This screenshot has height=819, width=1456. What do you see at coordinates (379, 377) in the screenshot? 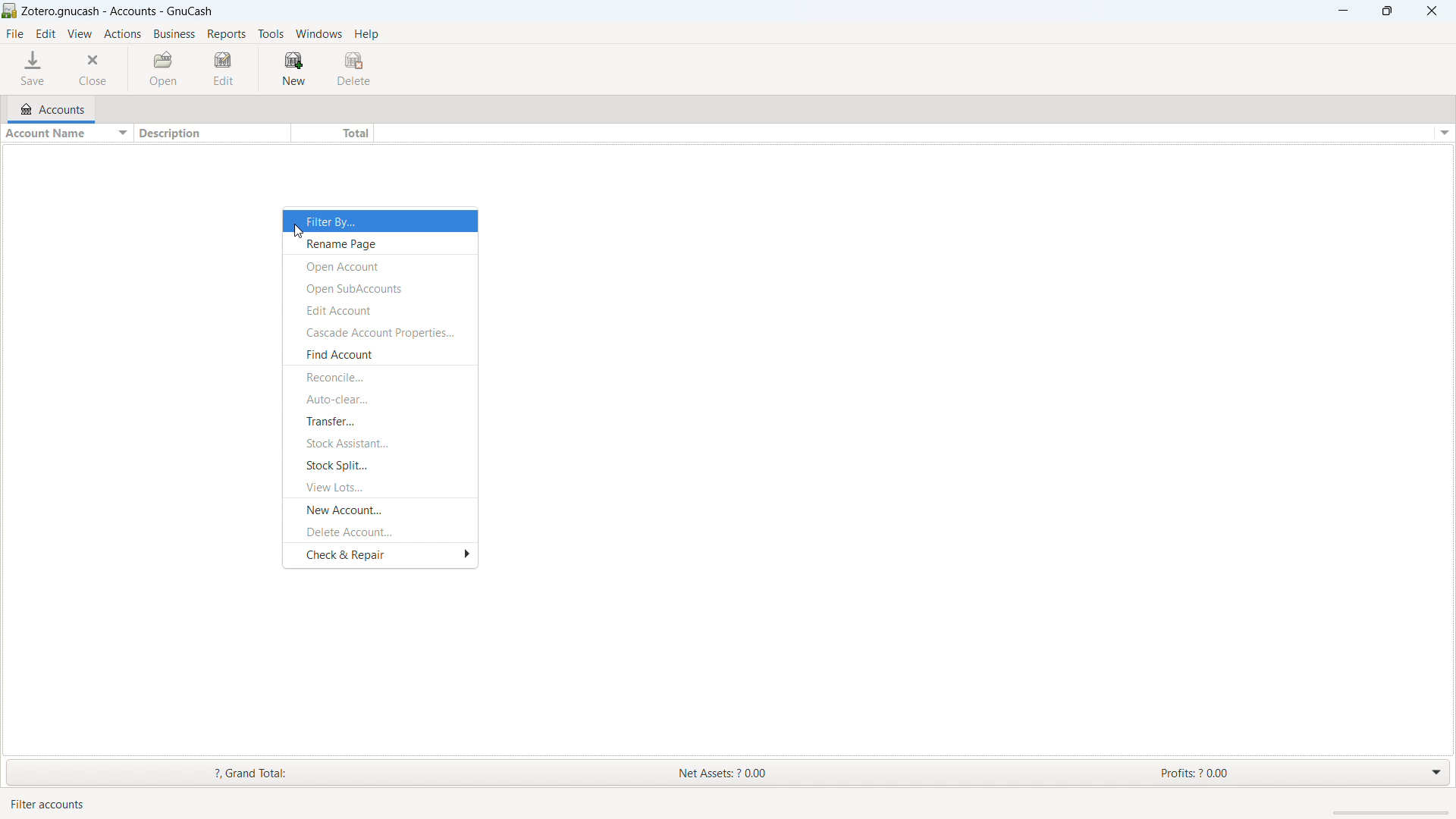
I see `reconcile` at bounding box center [379, 377].